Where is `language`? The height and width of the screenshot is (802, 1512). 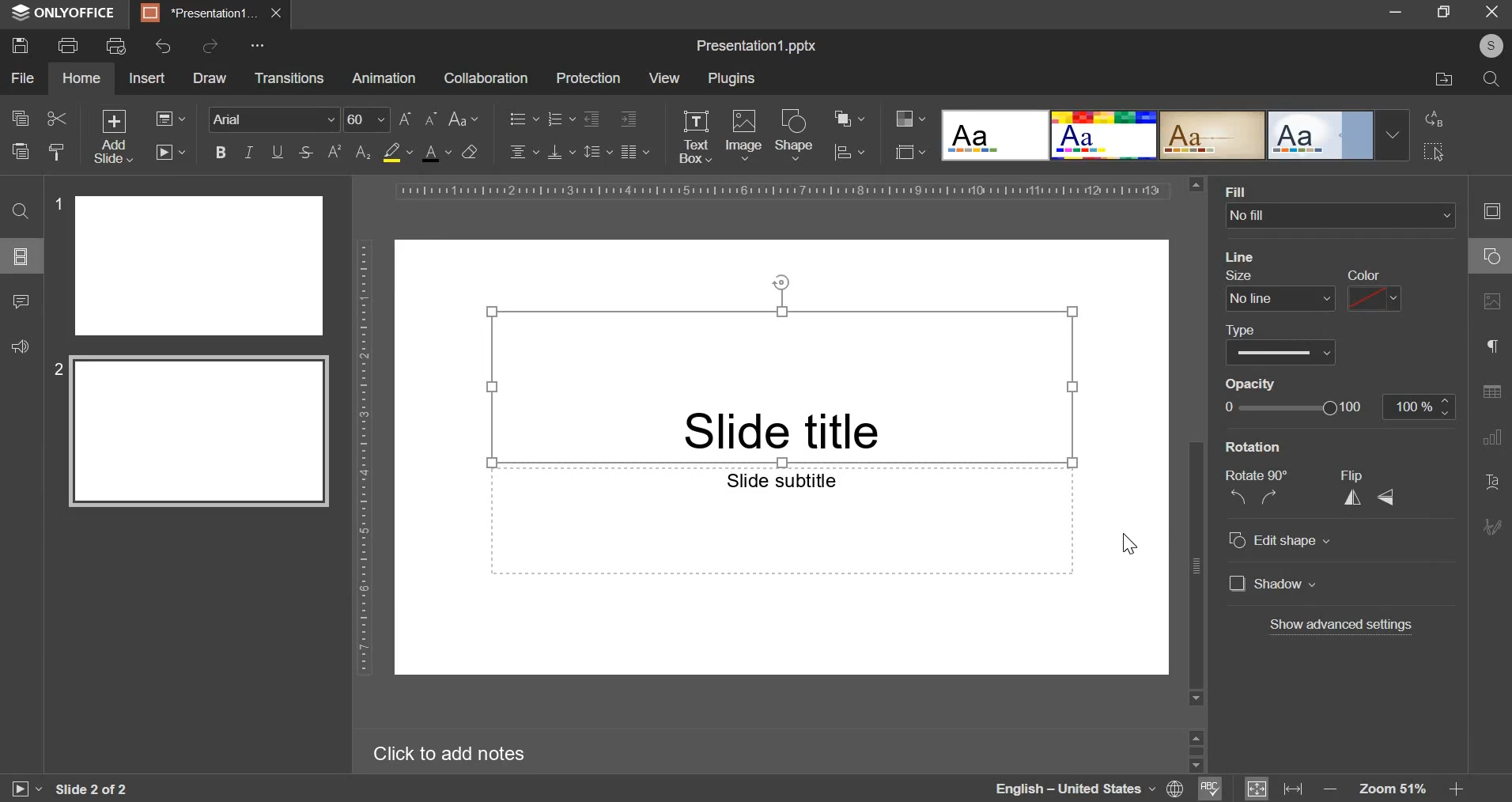 language is located at coordinates (1074, 789).